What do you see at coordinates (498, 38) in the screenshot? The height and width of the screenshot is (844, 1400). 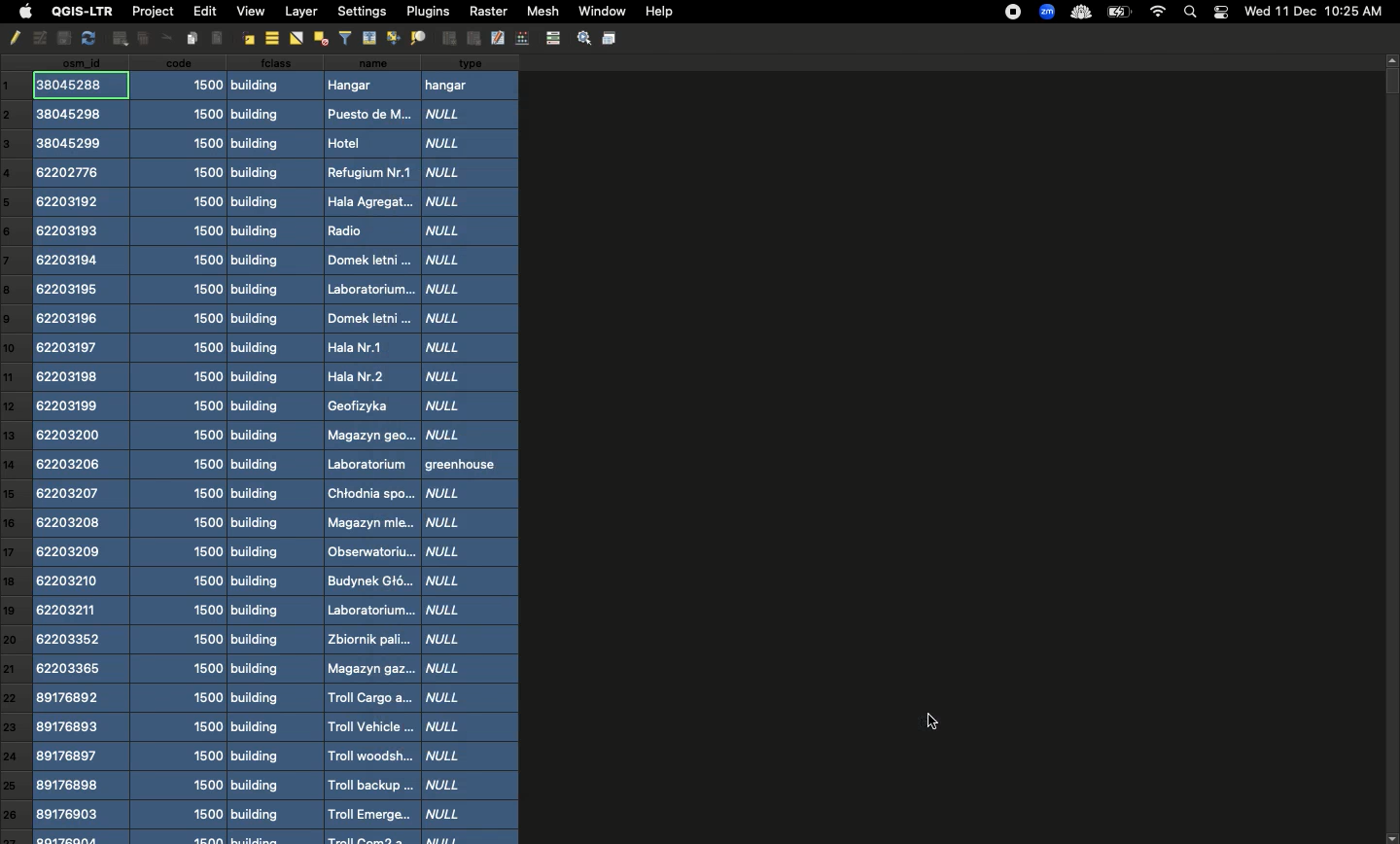 I see `edit` at bounding box center [498, 38].